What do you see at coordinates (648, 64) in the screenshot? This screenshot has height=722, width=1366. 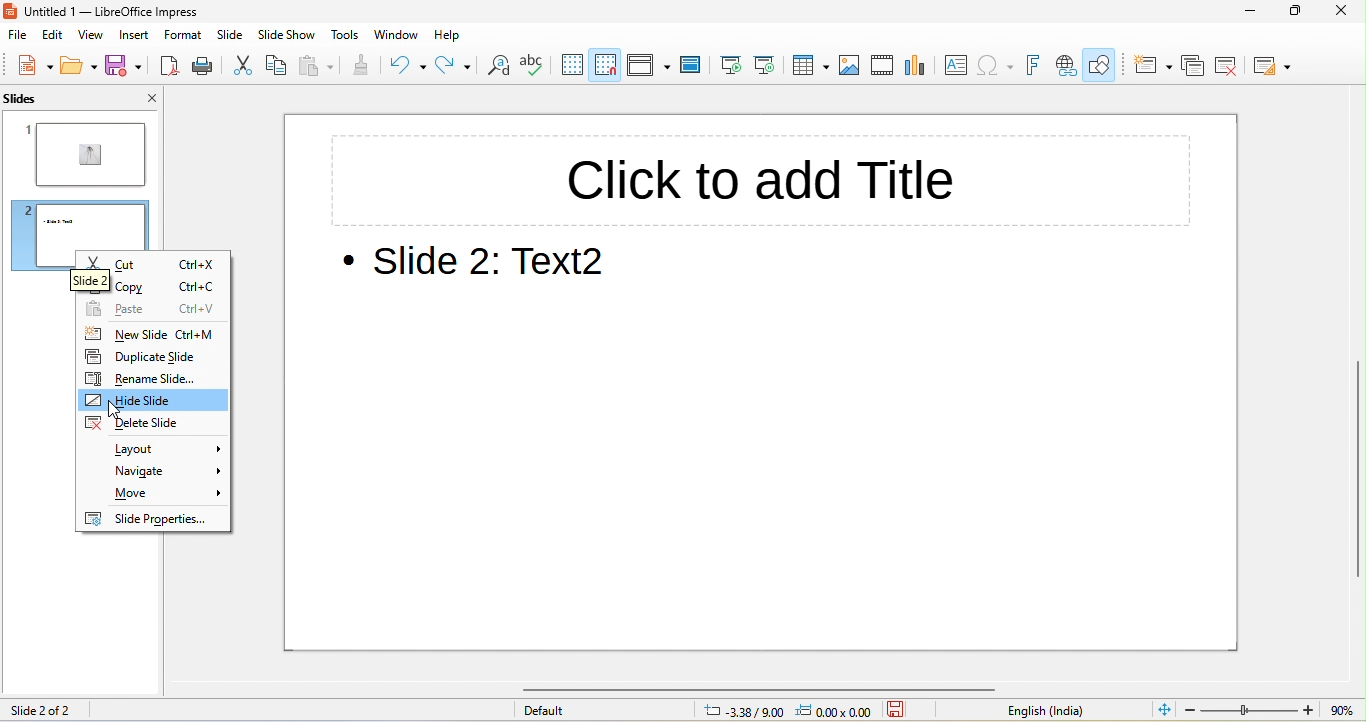 I see `display view` at bounding box center [648, 64].